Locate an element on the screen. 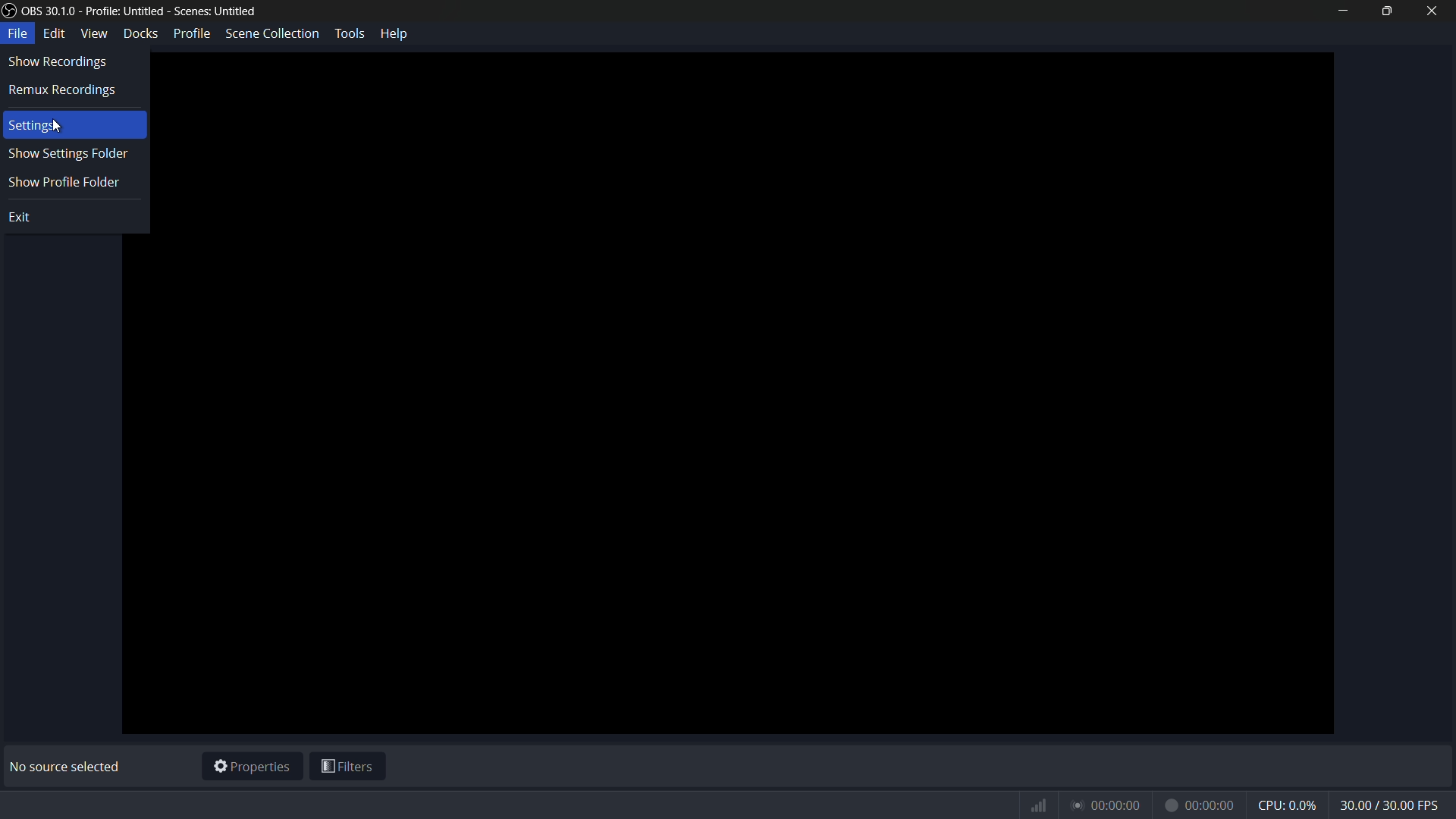  properties is located at coordinates (252, 767).